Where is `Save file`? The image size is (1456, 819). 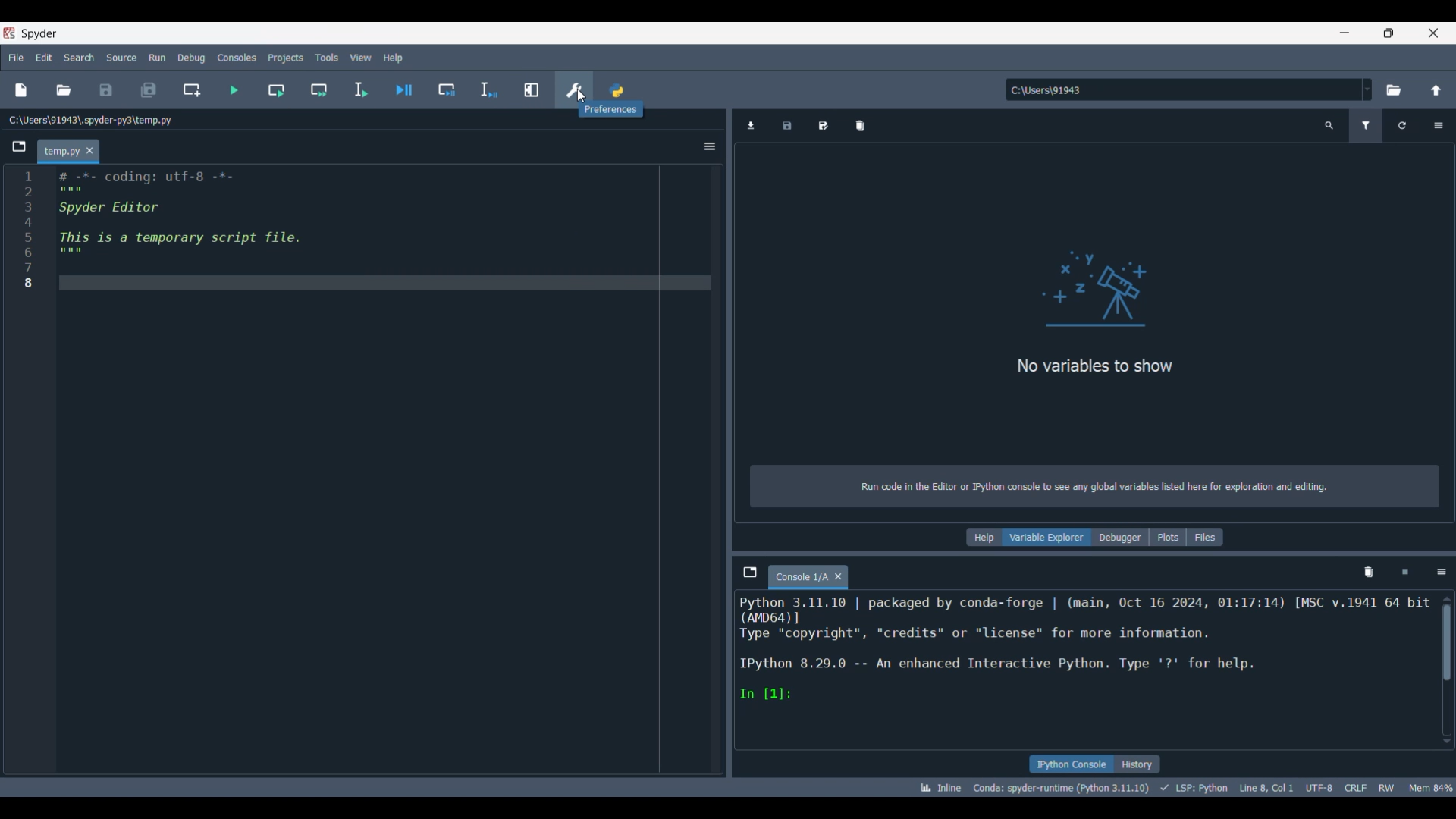
Save file is located at coordinates (106, 90).